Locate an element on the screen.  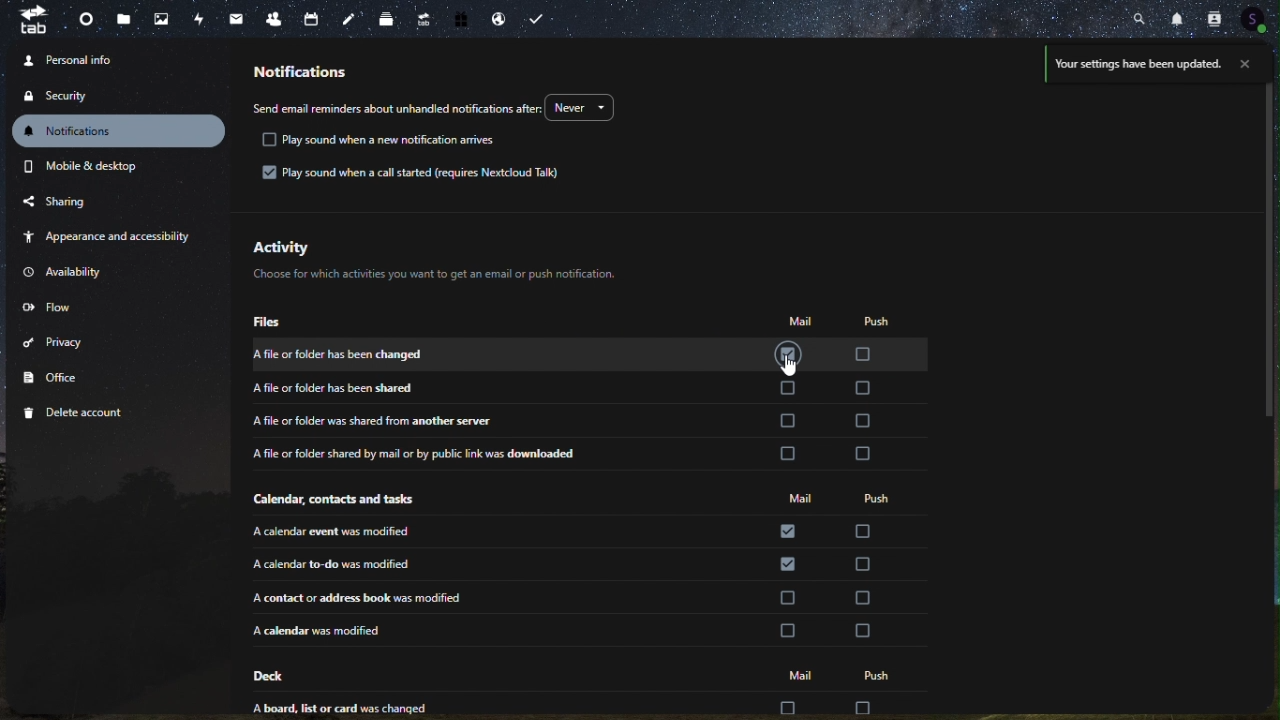
a calender was modified is located at coordinates (322, 631).